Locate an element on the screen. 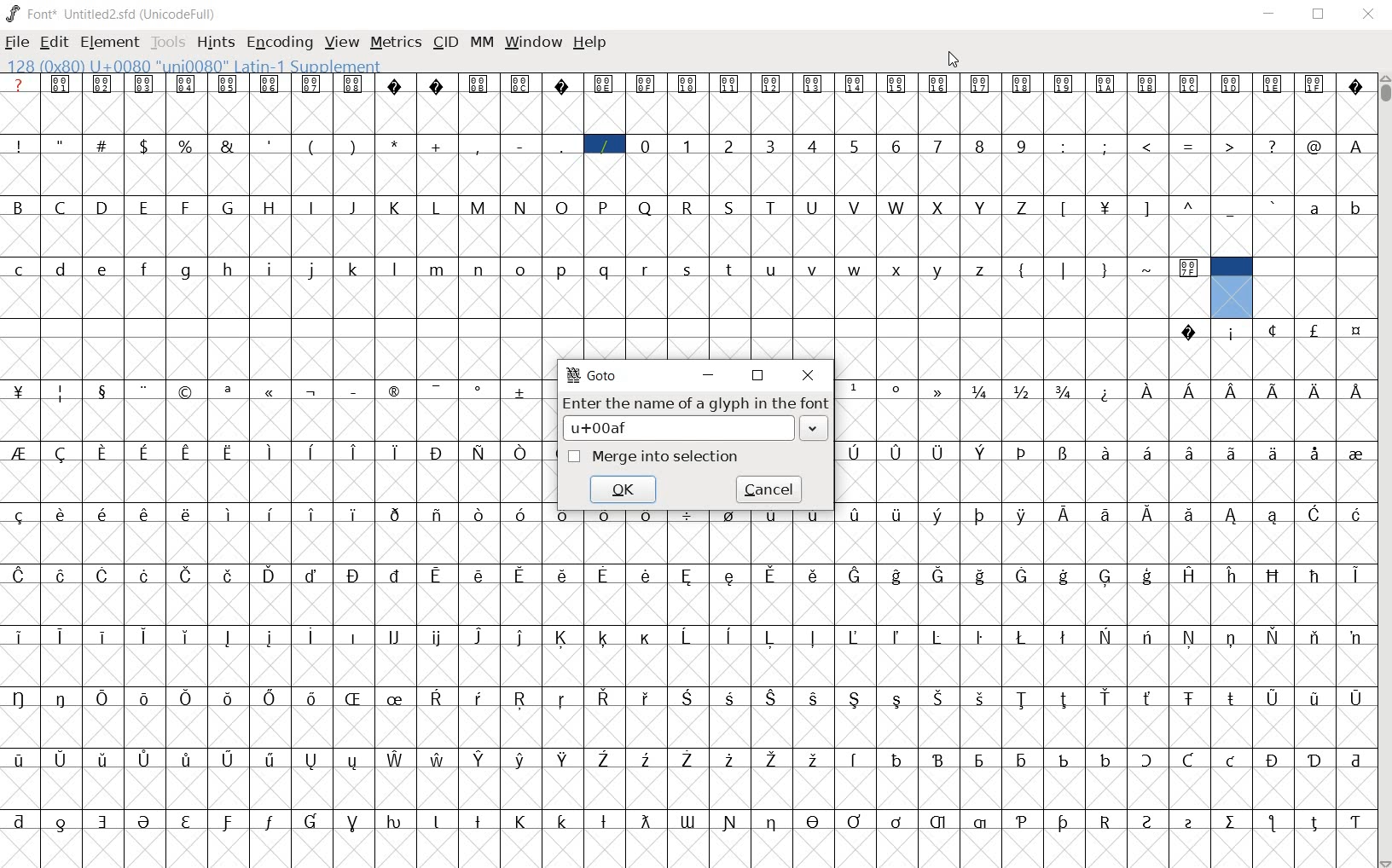 Image resolution: width=1392 pixels, height=868 pixels. empty spaces is located at coordinates (585, 327).